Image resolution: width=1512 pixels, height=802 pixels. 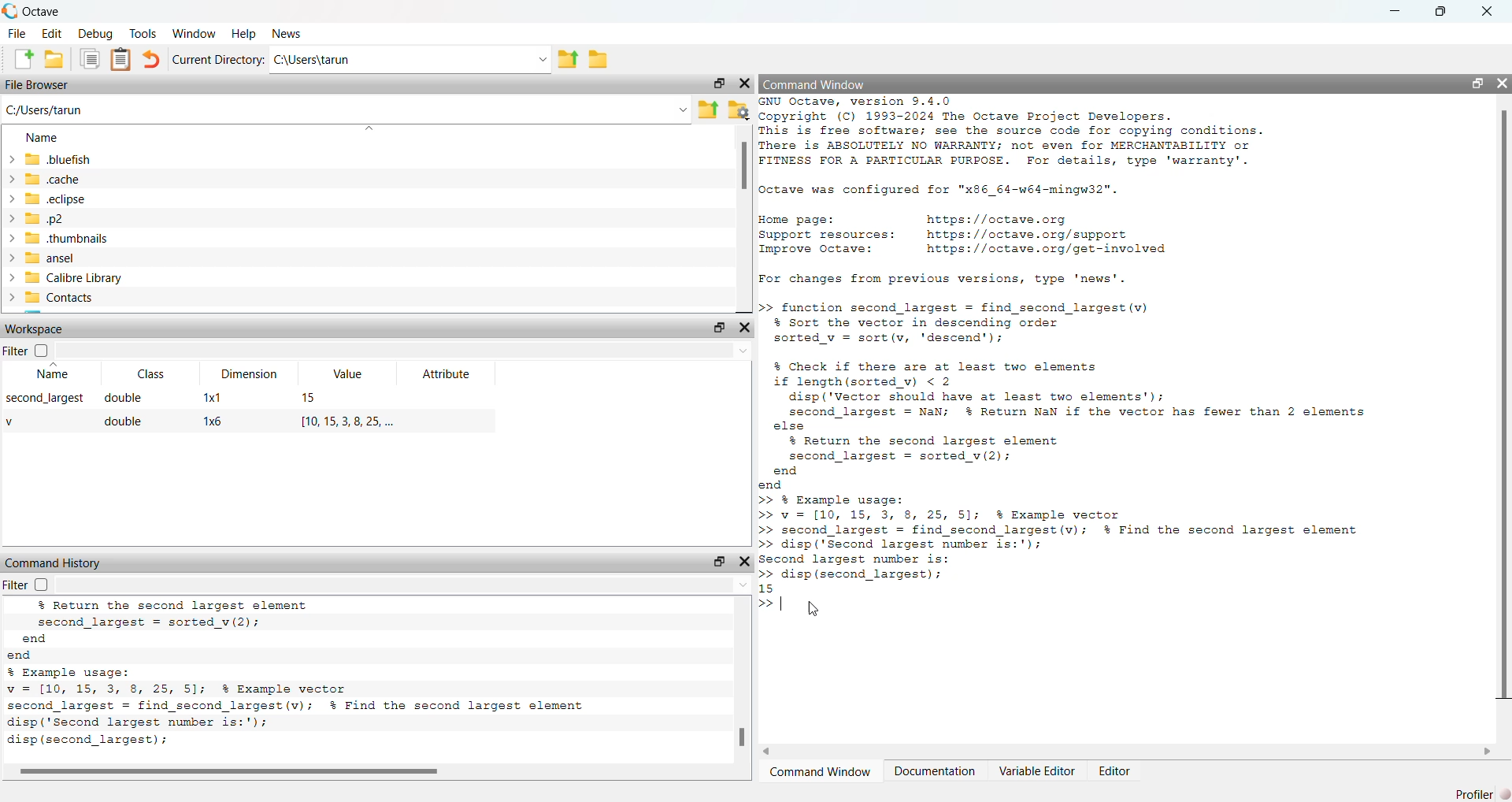 What do you see at coordinates (743, 169) in the screenshot?
I see `scrollbar` at bounding box center [743, 169].